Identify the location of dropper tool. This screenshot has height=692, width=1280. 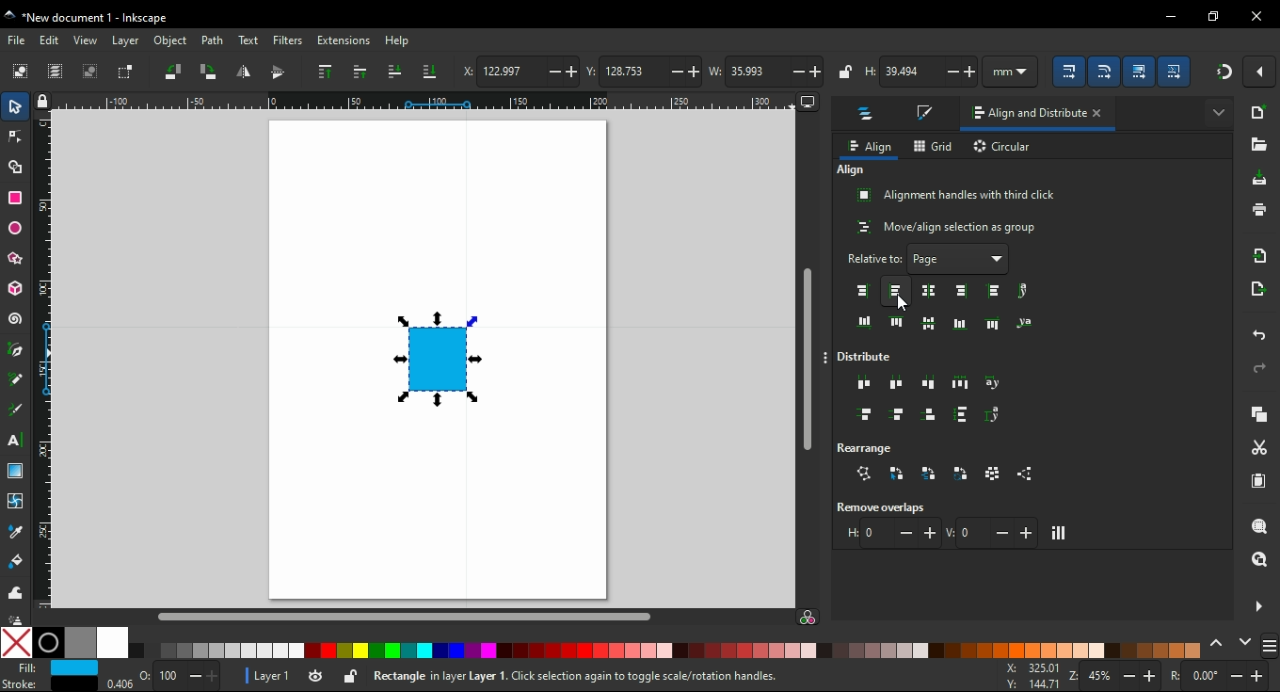
(16, 531).